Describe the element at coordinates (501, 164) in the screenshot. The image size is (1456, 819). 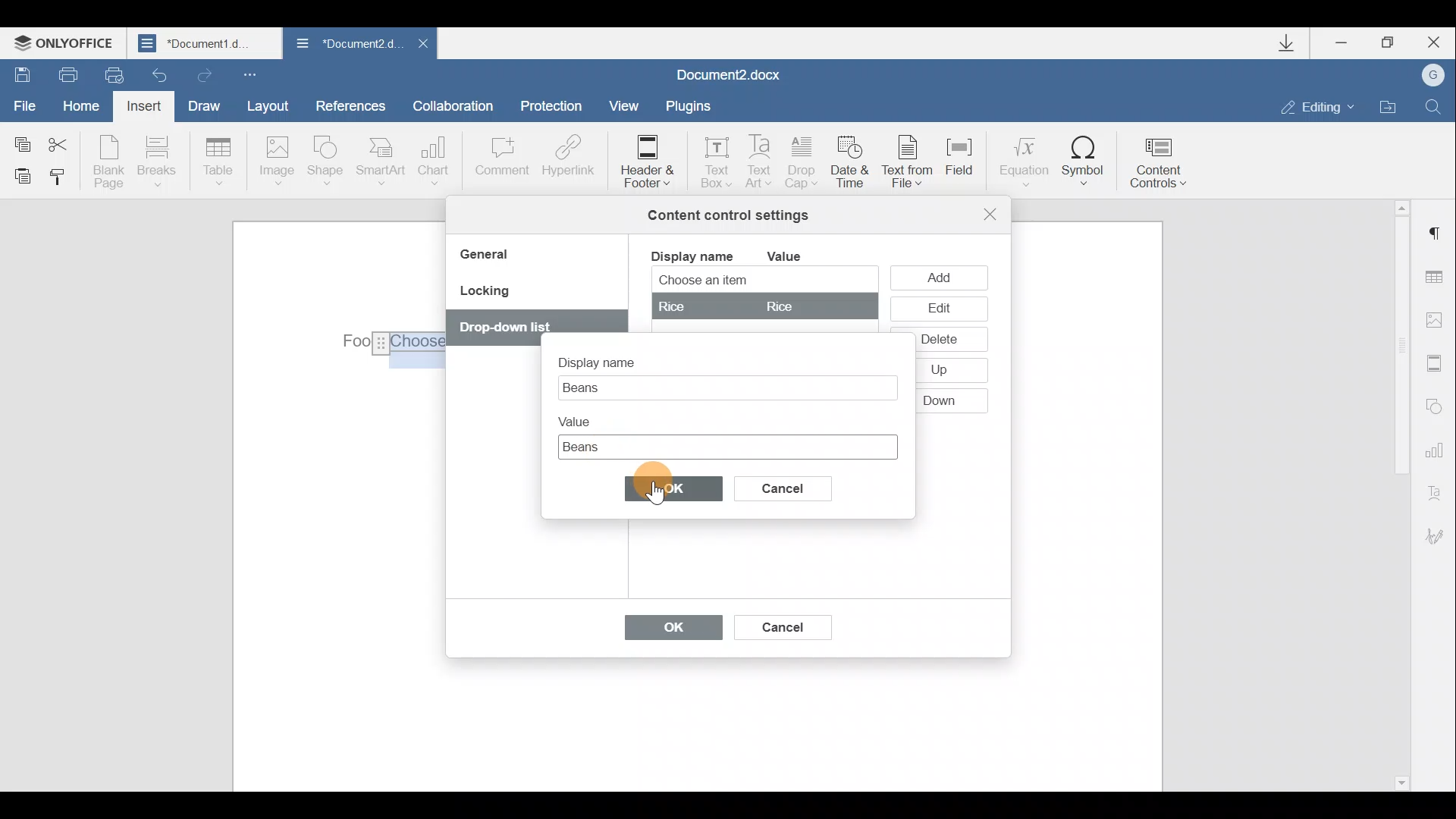
I see `Comment` at that location.